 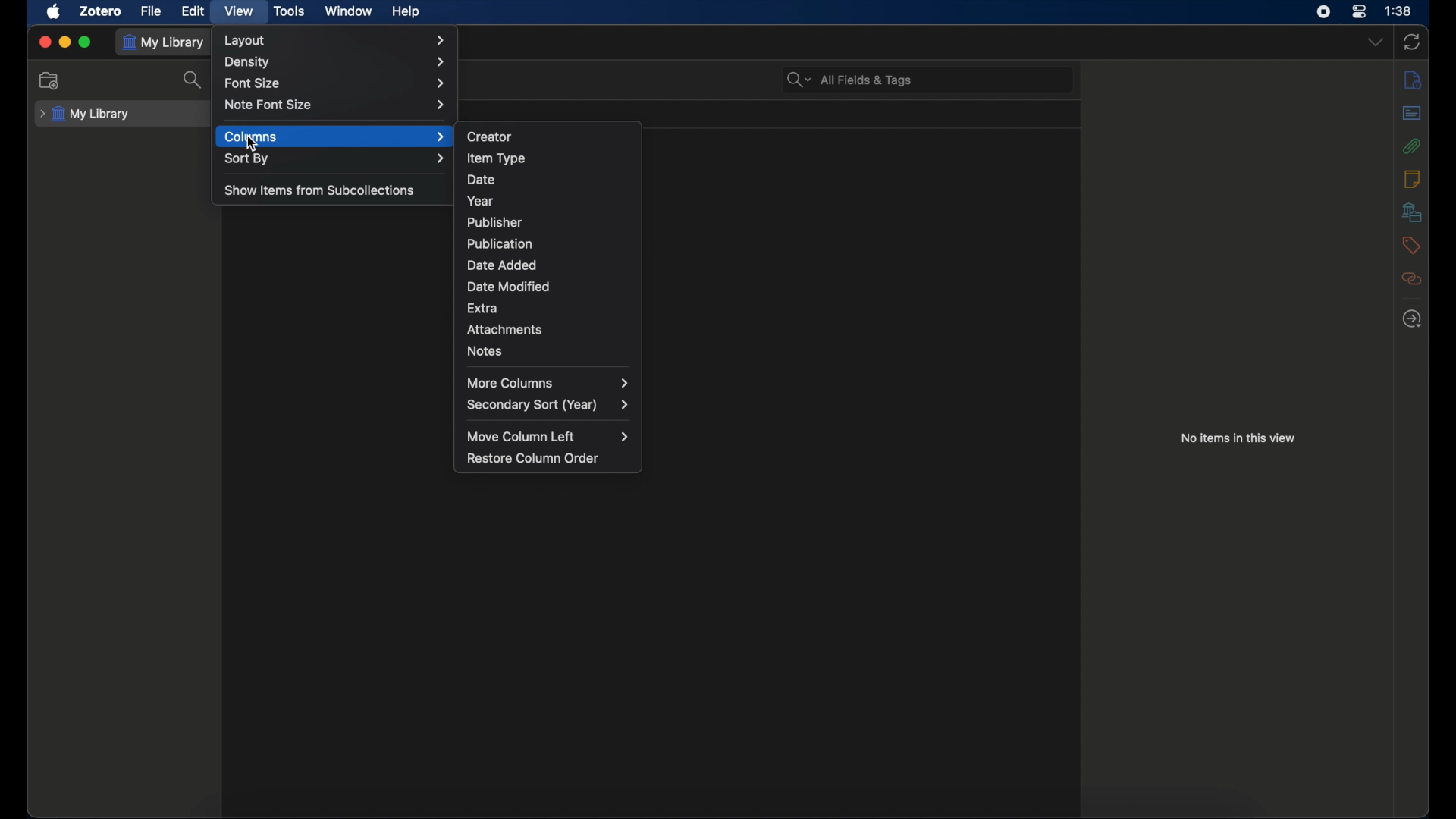 What do you see at coordinates (1238, 438) in the screenshot?
I see `no items in this view` at bounding box center [1238, 438].